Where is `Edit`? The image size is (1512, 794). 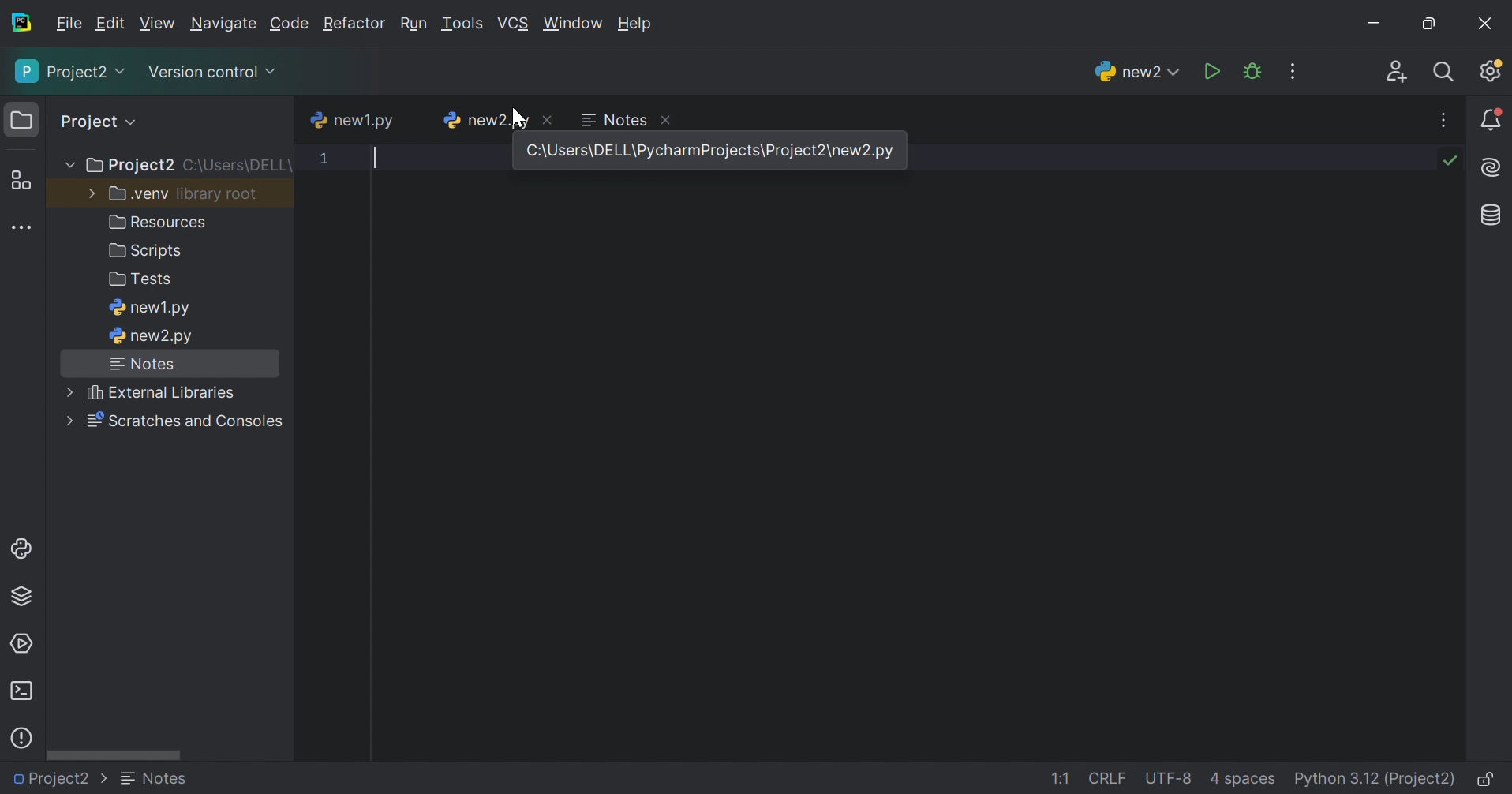
Edit is located at coordinates (110, 24).